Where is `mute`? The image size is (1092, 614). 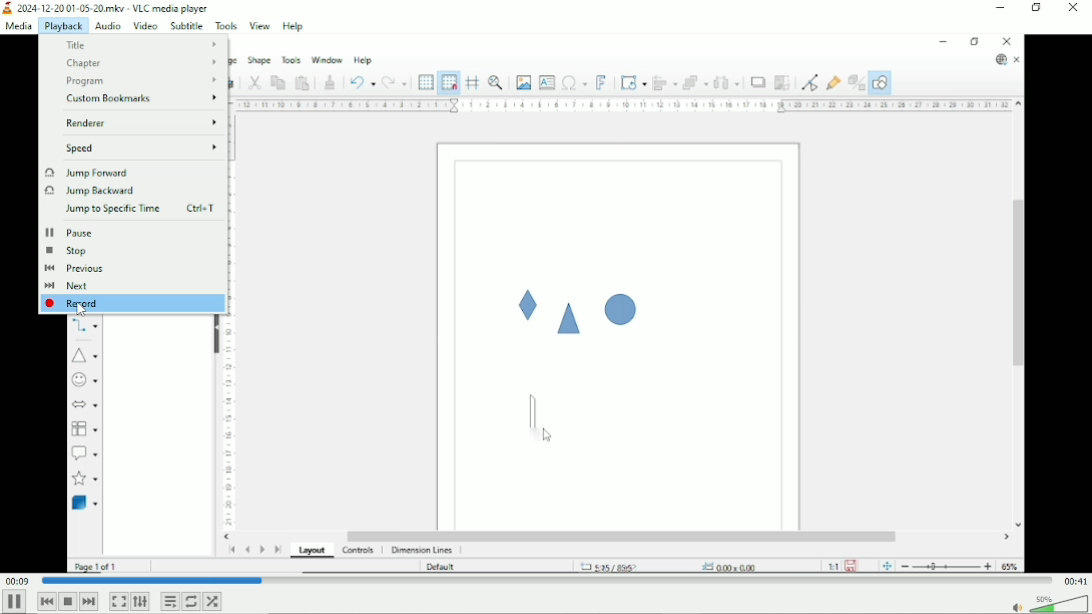
mute is located at coordinates (1016, 606).